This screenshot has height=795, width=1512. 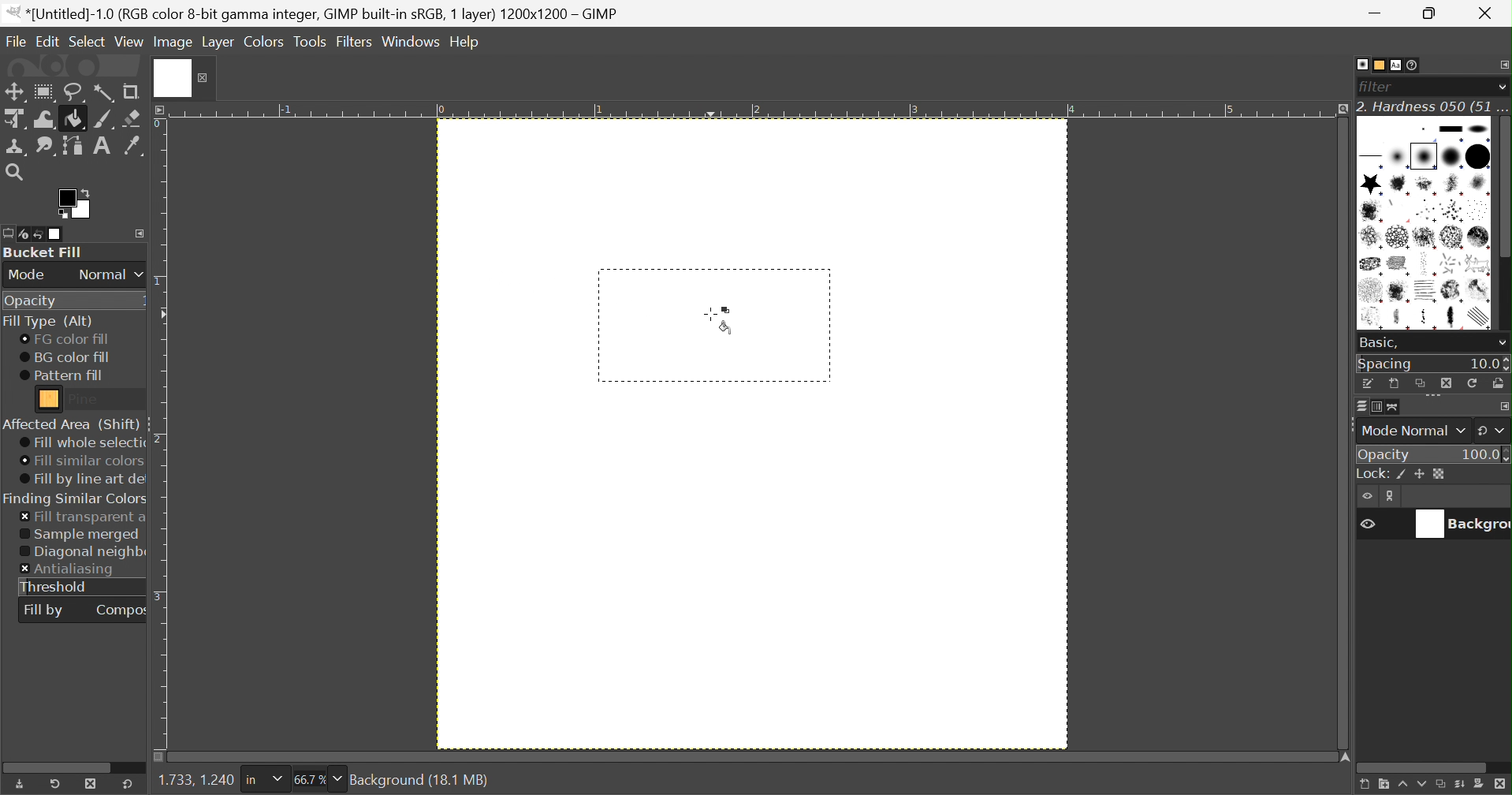 I want to click on Crop Tool, so click(x=131, y=92).